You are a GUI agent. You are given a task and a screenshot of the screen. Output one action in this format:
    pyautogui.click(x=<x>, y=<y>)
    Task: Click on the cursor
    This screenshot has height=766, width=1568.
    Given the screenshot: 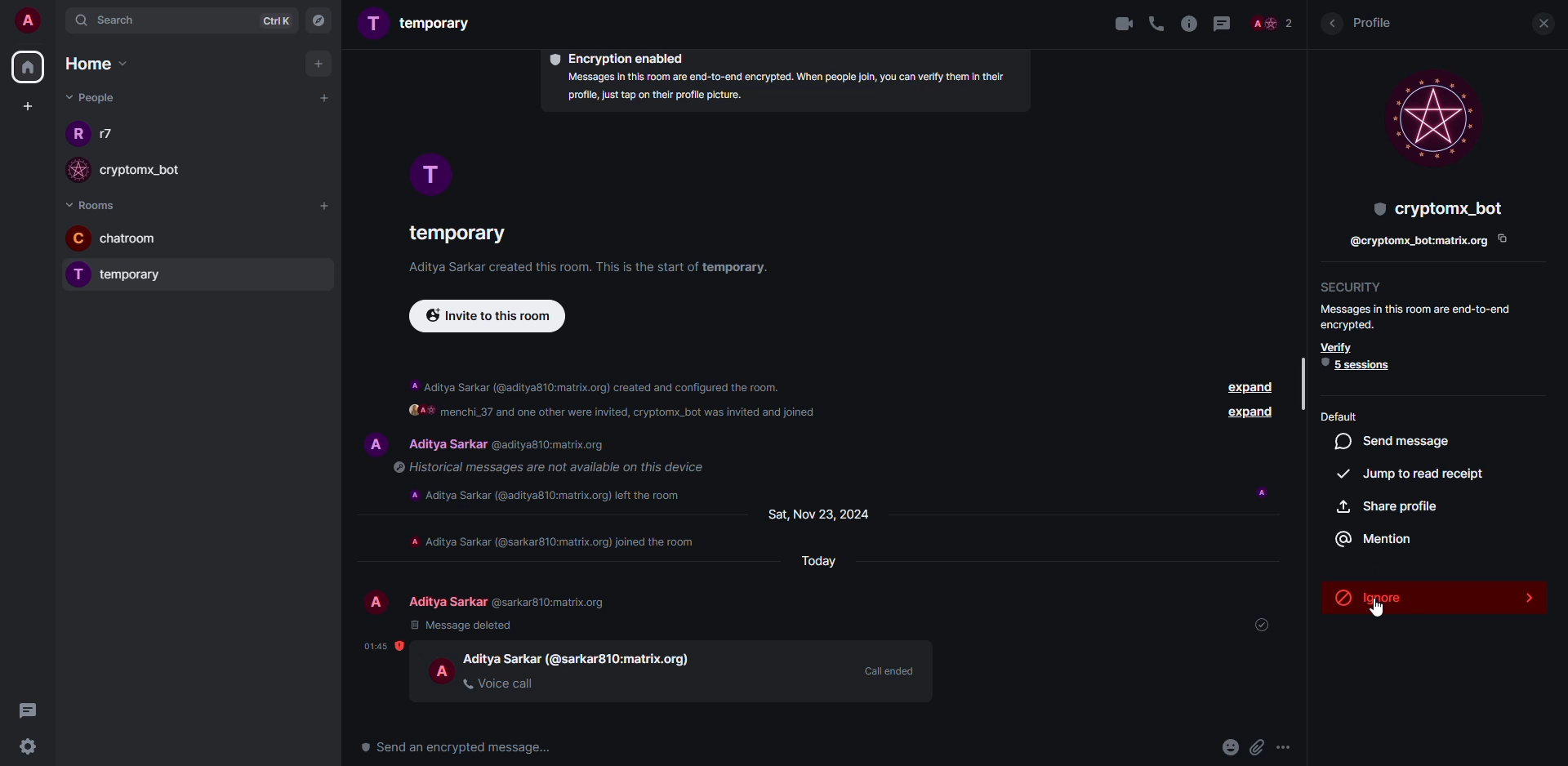 What is the action you would take?
    pyautogui.click(x=1376, y=609)
    